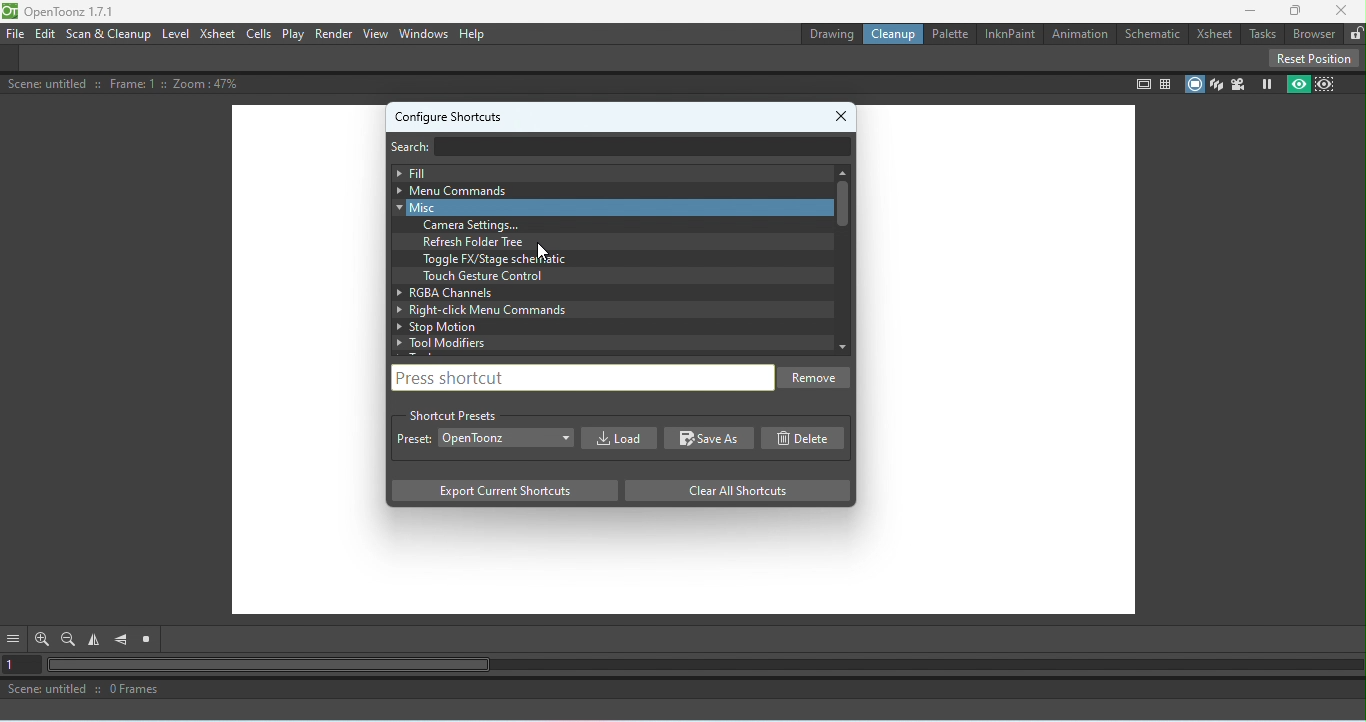 The height and width of the screenshot is (722, 1366). Describe the element at coordinates (481, 276) in the screenshot. I see `Touch gesture control` at that location.